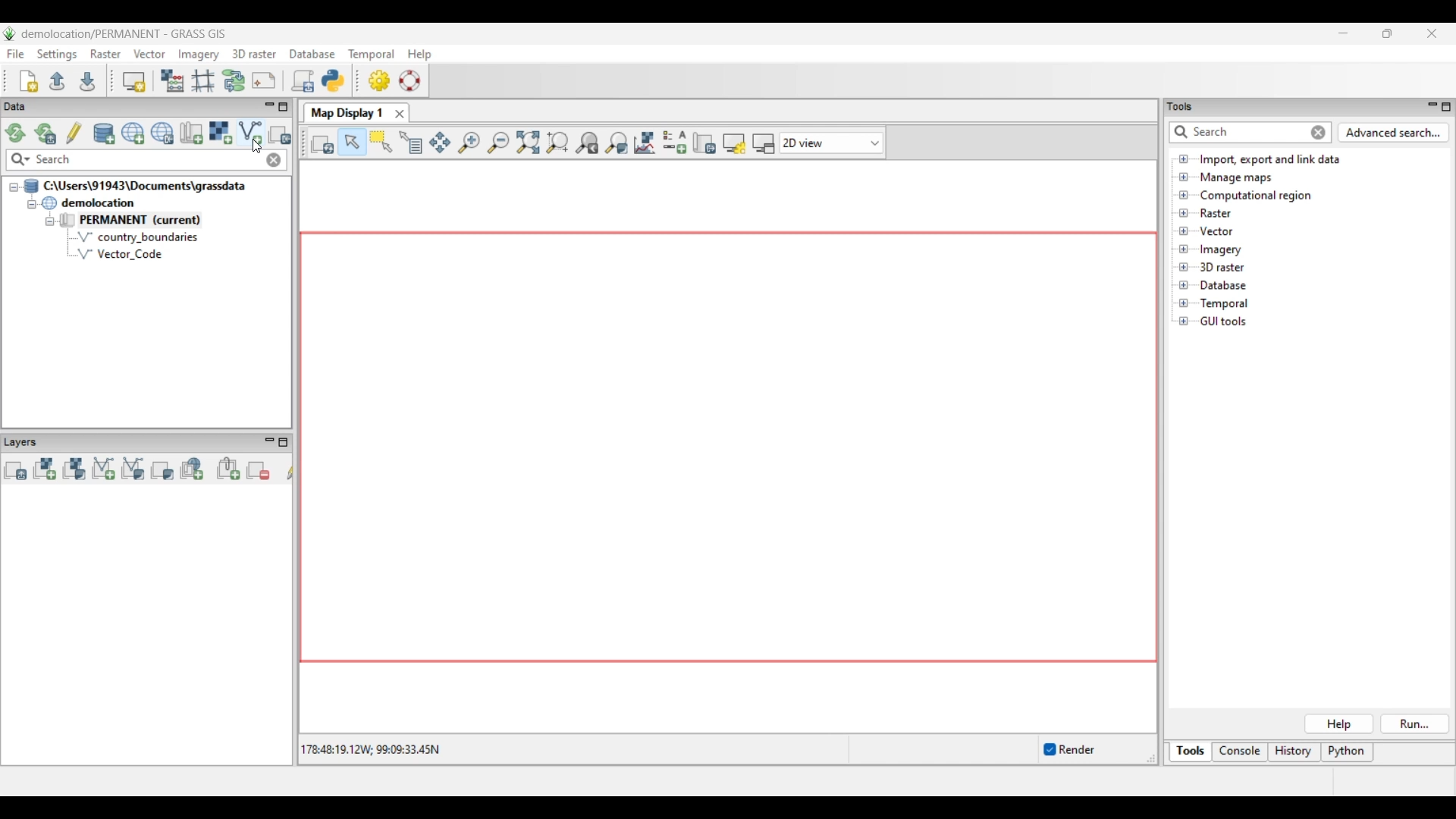 The height and width of the screenshot is (819, 1456). What do you see at coordinates (704, 143) in the screenshot?
I see `Save display to file` at bounding box center [704, 143].